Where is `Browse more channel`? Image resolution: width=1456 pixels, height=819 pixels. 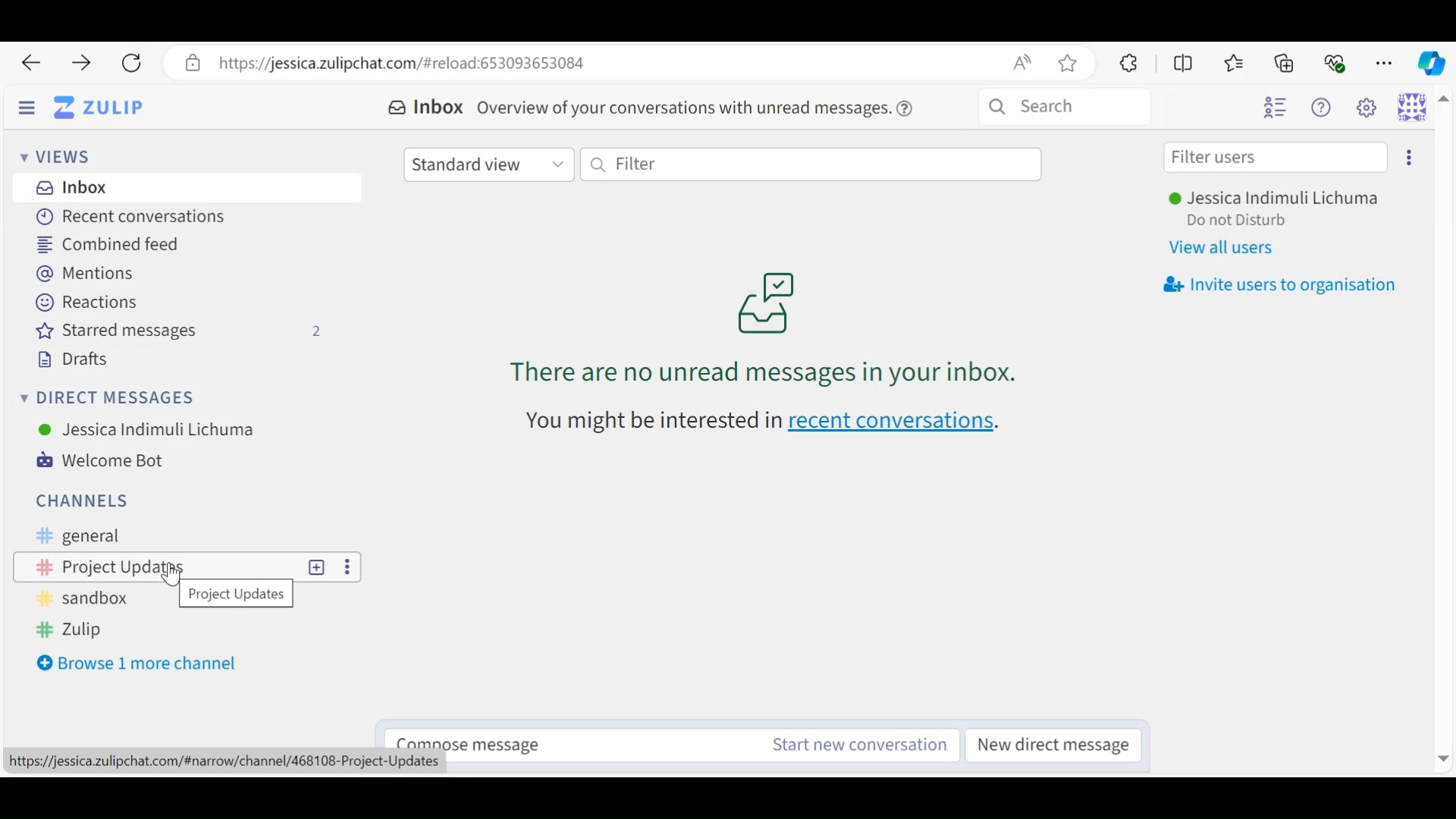
Browse more channel is located at coordinates (140, 664).